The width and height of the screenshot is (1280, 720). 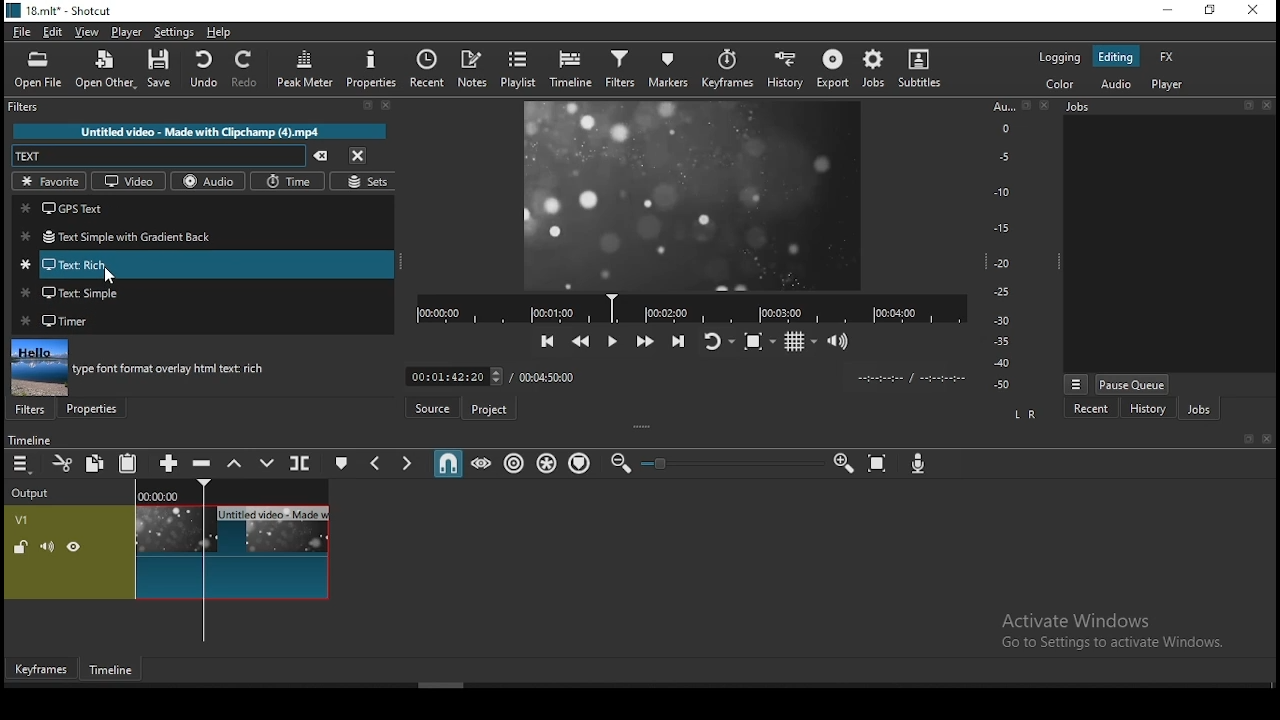 I want to click on Detach, so click(x=1250, y=439).